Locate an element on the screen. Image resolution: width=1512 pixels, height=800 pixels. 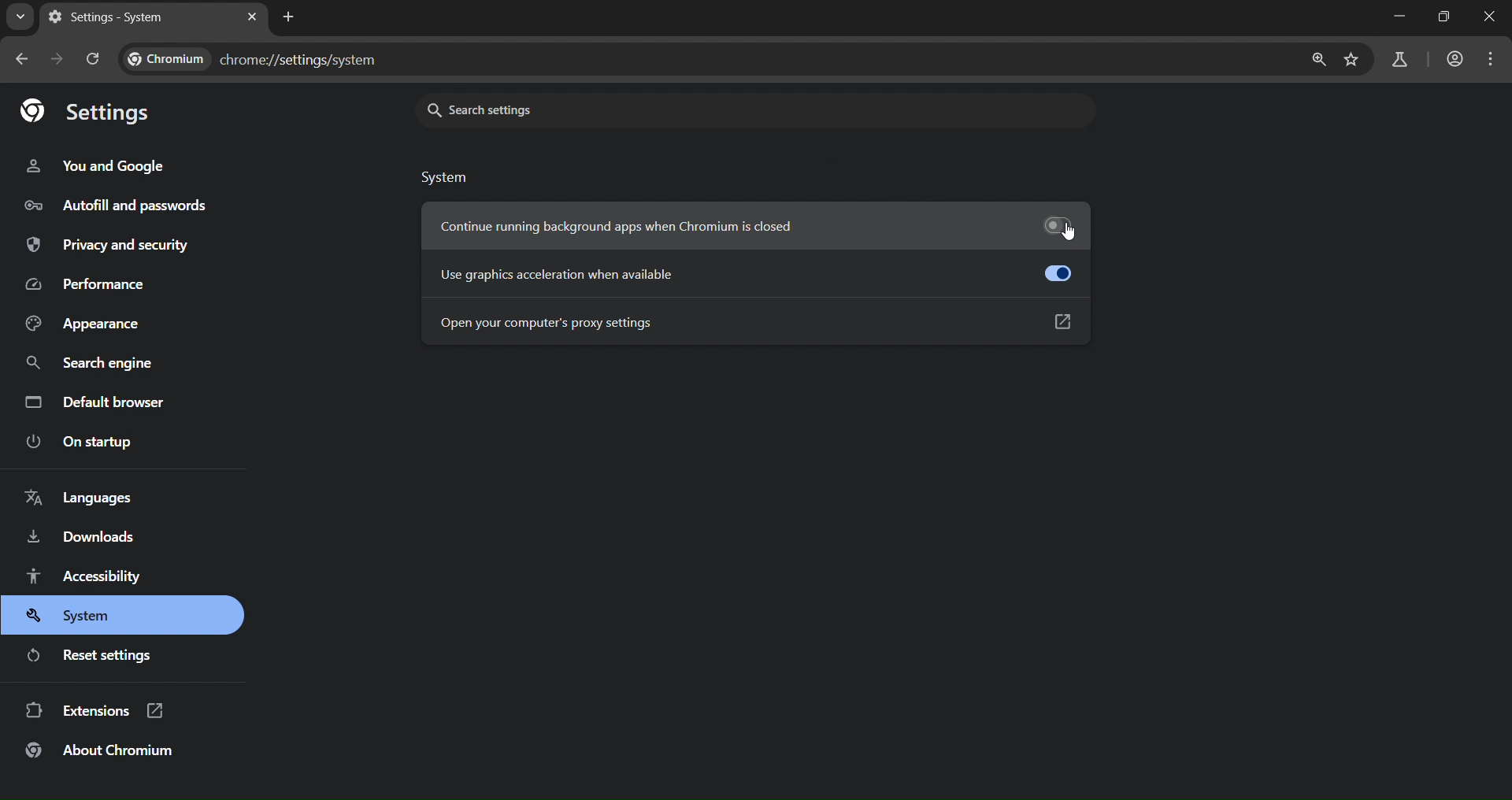
new tab is located at coordinates (289, 17).